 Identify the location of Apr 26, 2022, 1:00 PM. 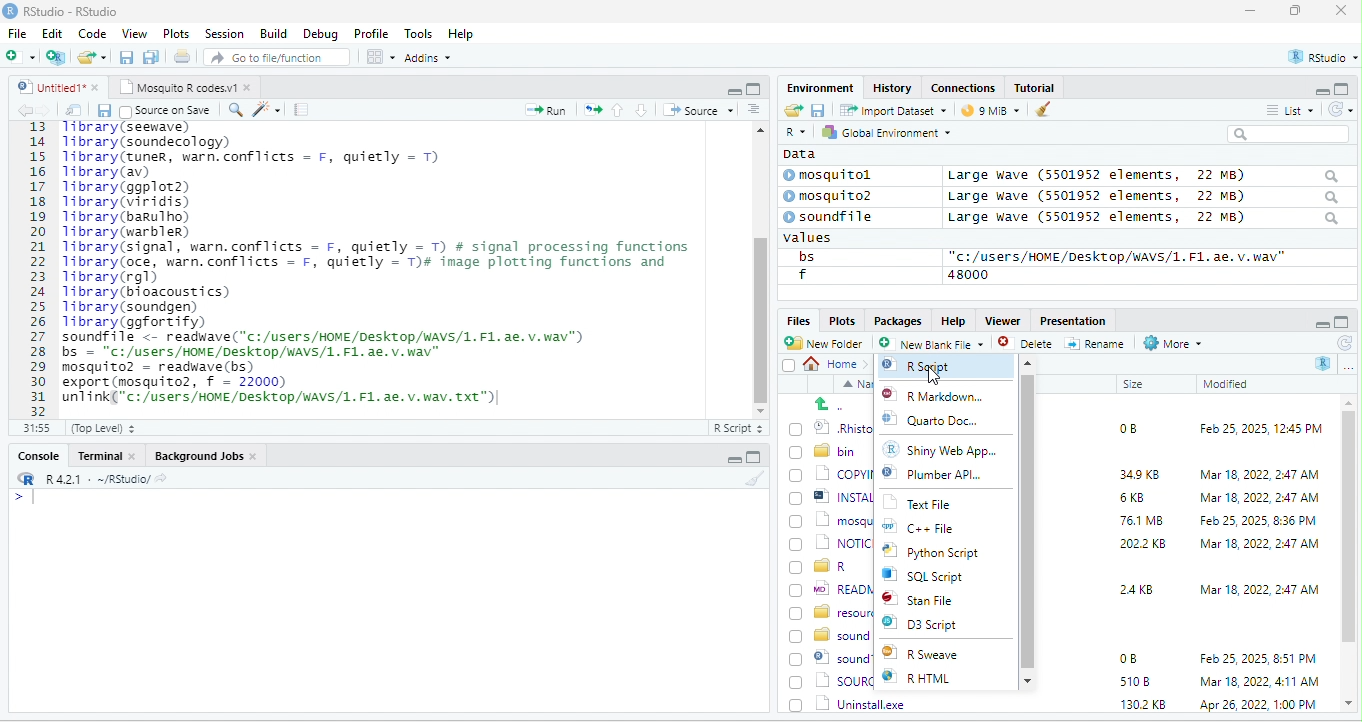
(1260, 706).